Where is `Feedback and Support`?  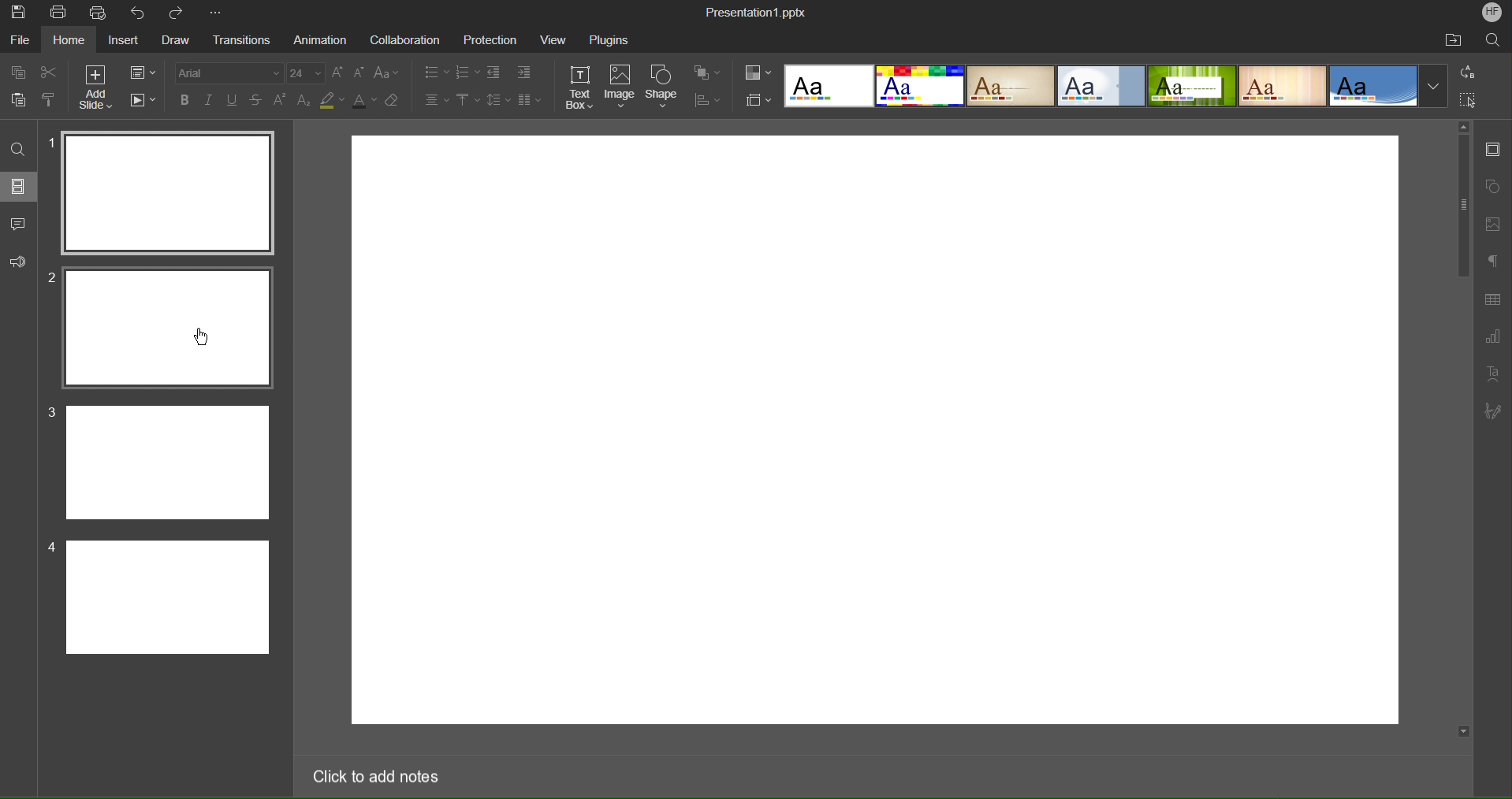
Feedback and Support is located at coordinates (18, 263).